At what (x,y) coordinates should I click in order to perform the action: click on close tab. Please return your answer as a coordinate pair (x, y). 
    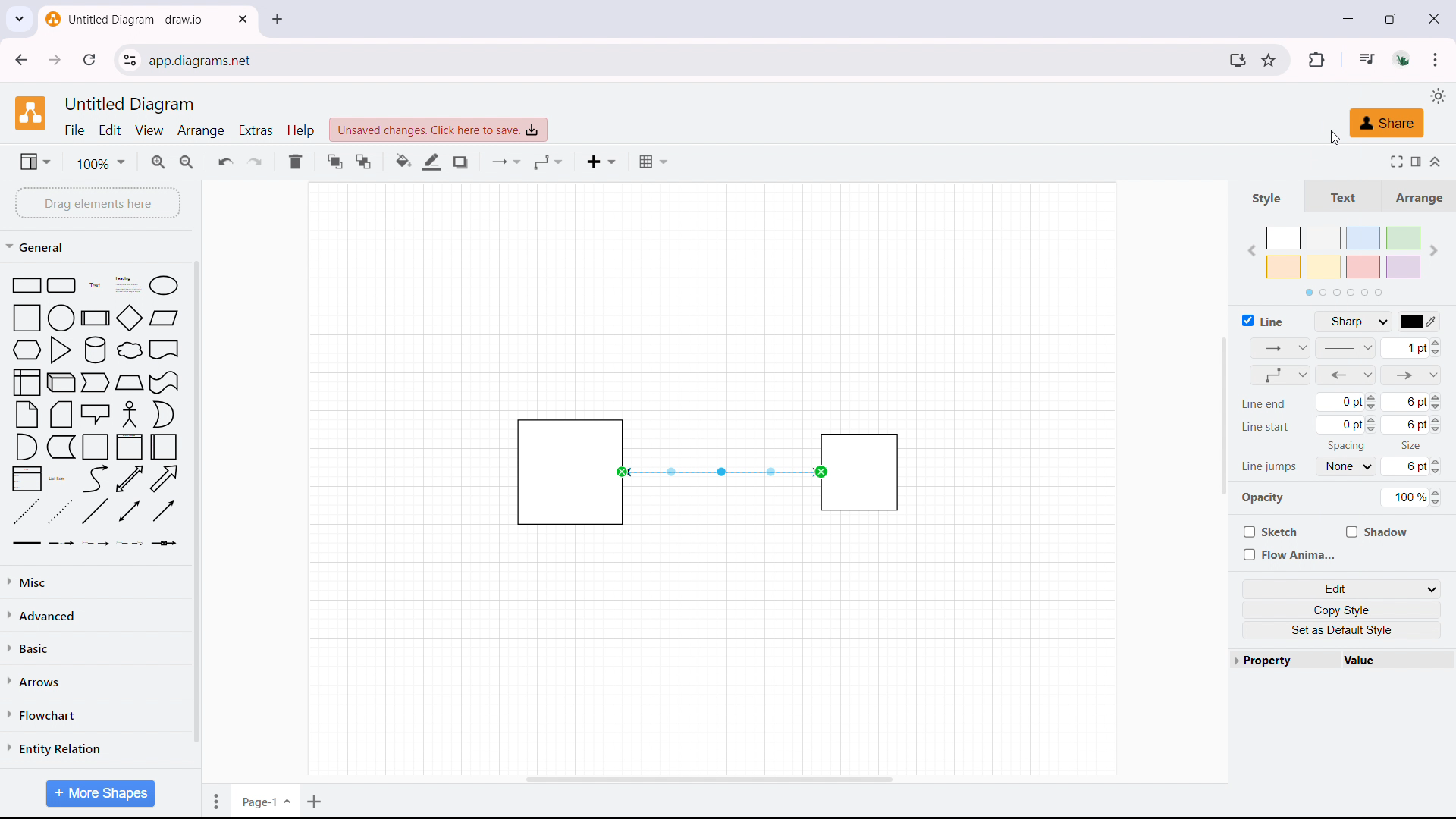
    Looking at the image, I should click on (278, 19).